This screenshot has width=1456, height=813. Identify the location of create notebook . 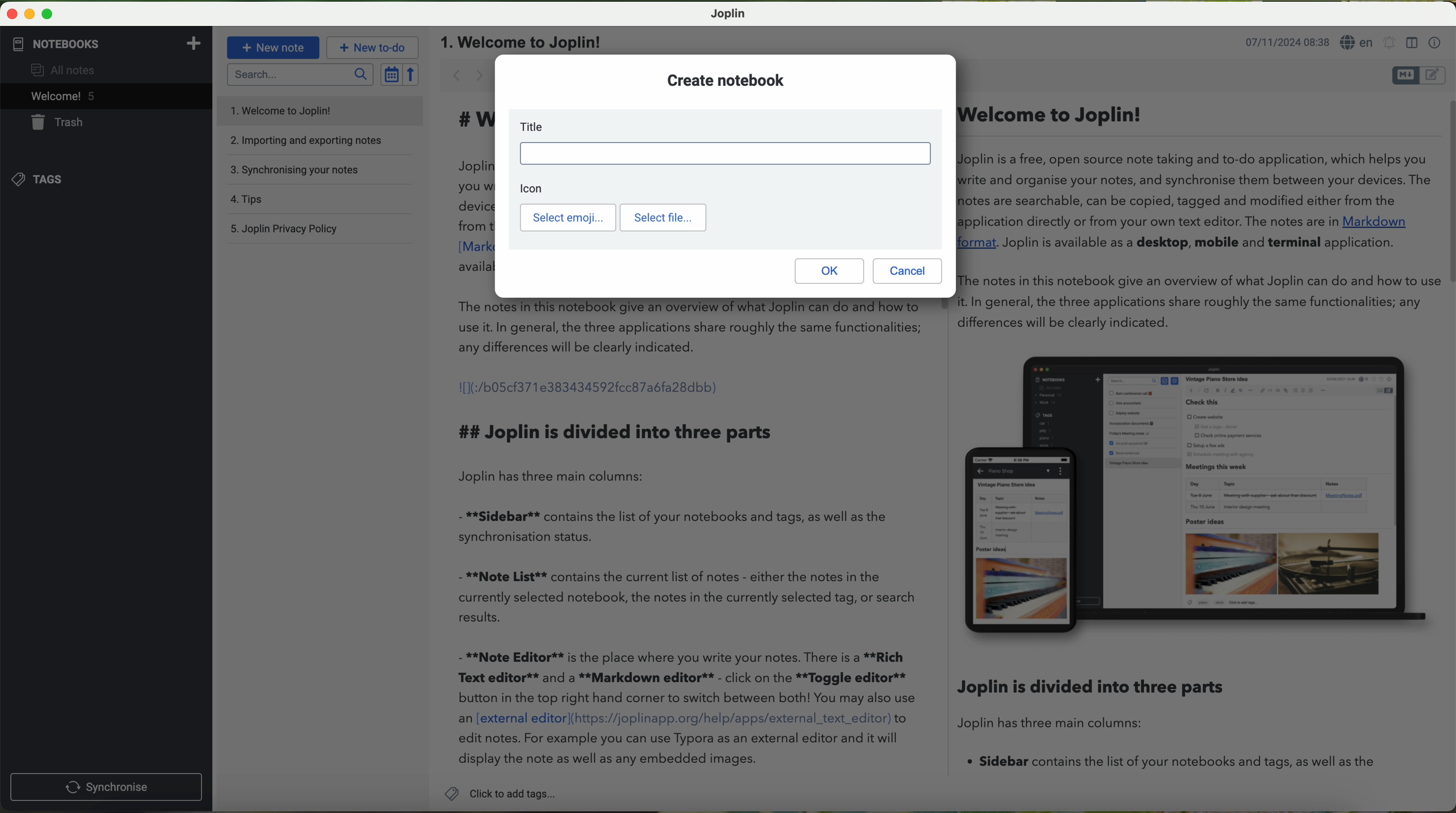
(724, 80).